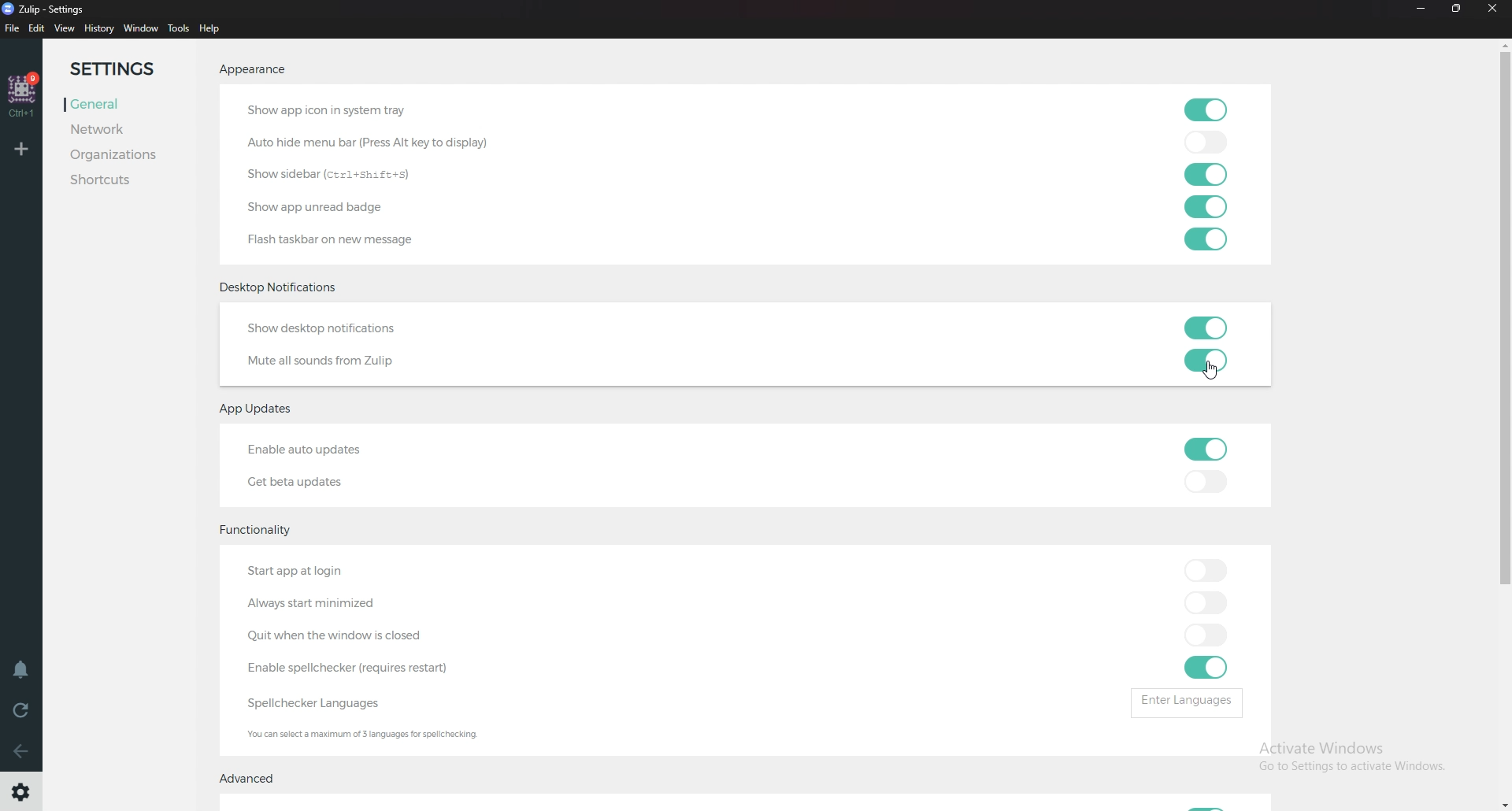 This screenshot has height=811, width=1512. Describe the element at coordinates (140, 29) in the screenshot. I see `Window` at that location.